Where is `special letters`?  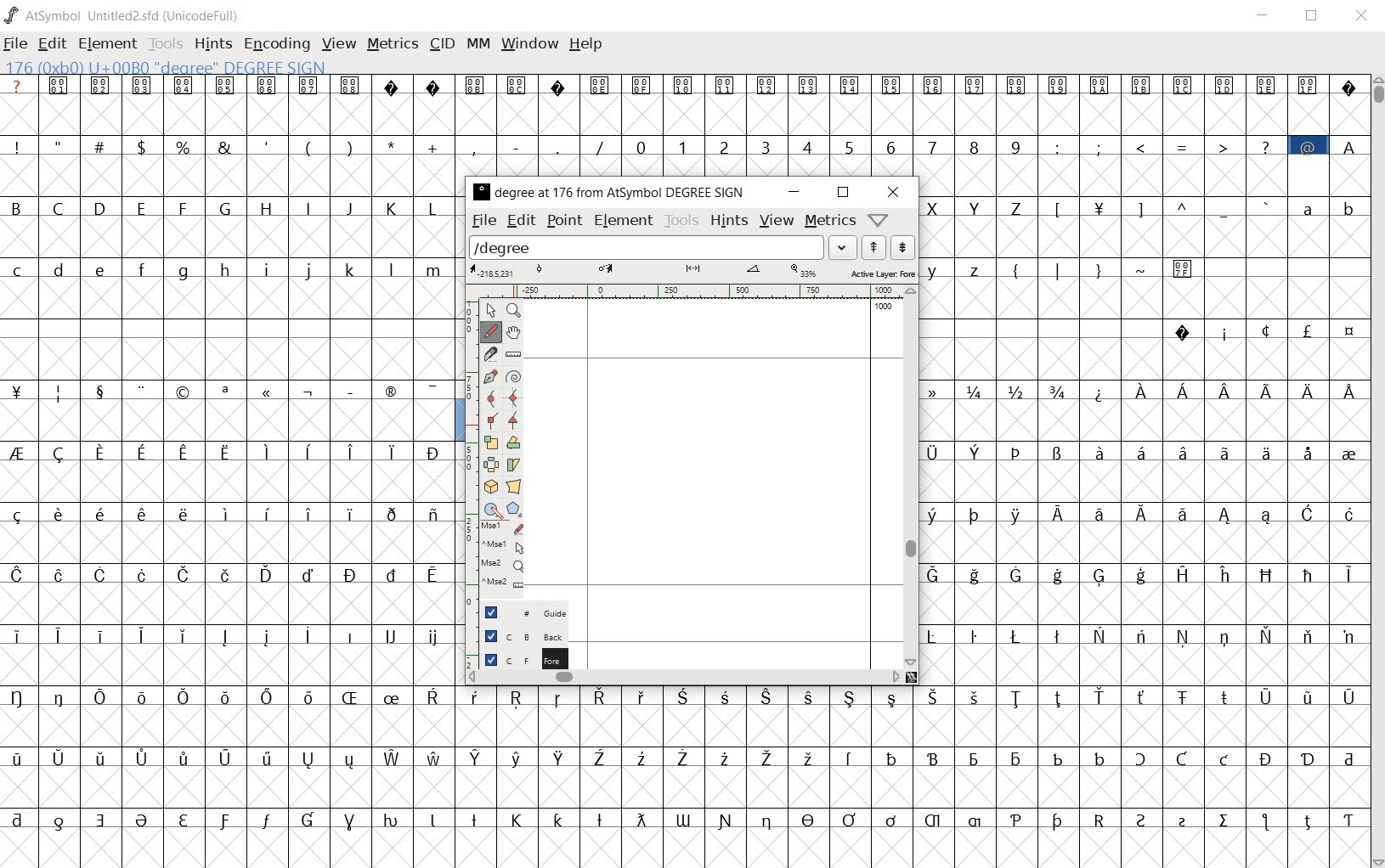 special letters is located at coordinates (910, 755).